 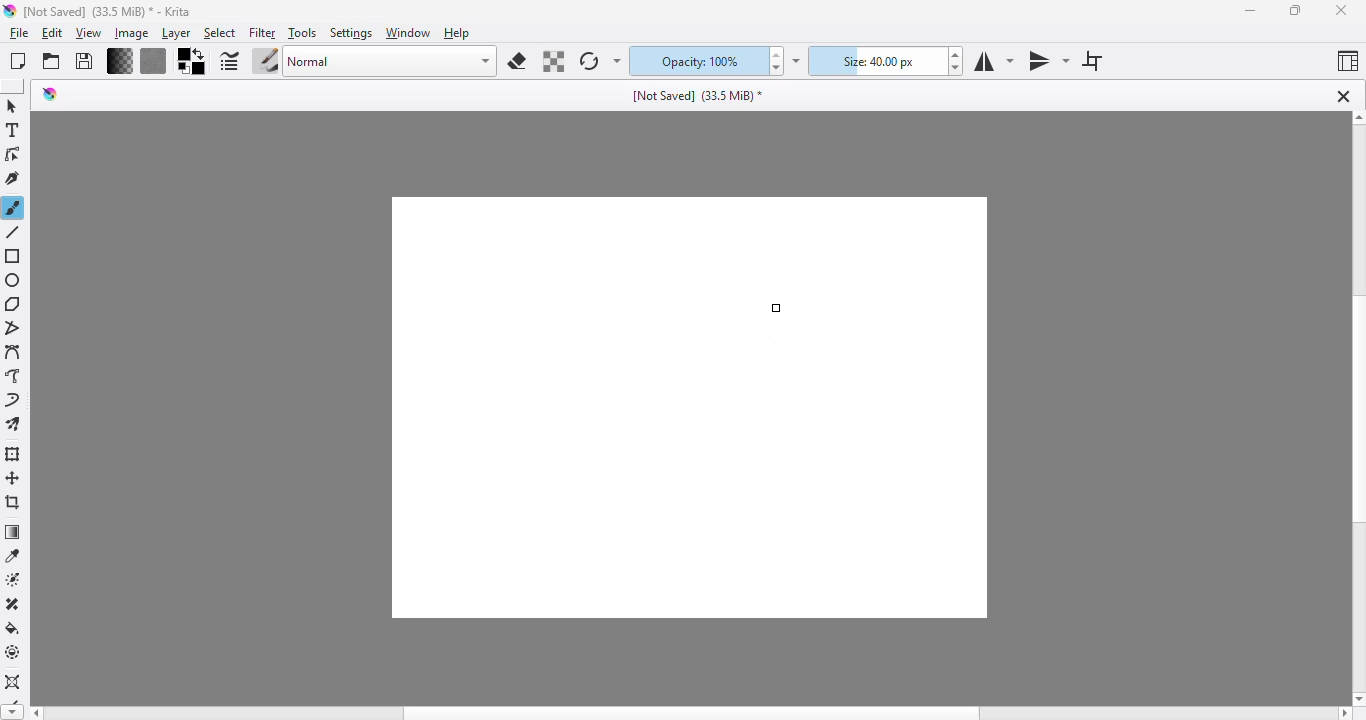 What do you see at coordinates (1357, 119) in the screenshot?
I see `Scroll Up` at bounding box center [1357, 119].